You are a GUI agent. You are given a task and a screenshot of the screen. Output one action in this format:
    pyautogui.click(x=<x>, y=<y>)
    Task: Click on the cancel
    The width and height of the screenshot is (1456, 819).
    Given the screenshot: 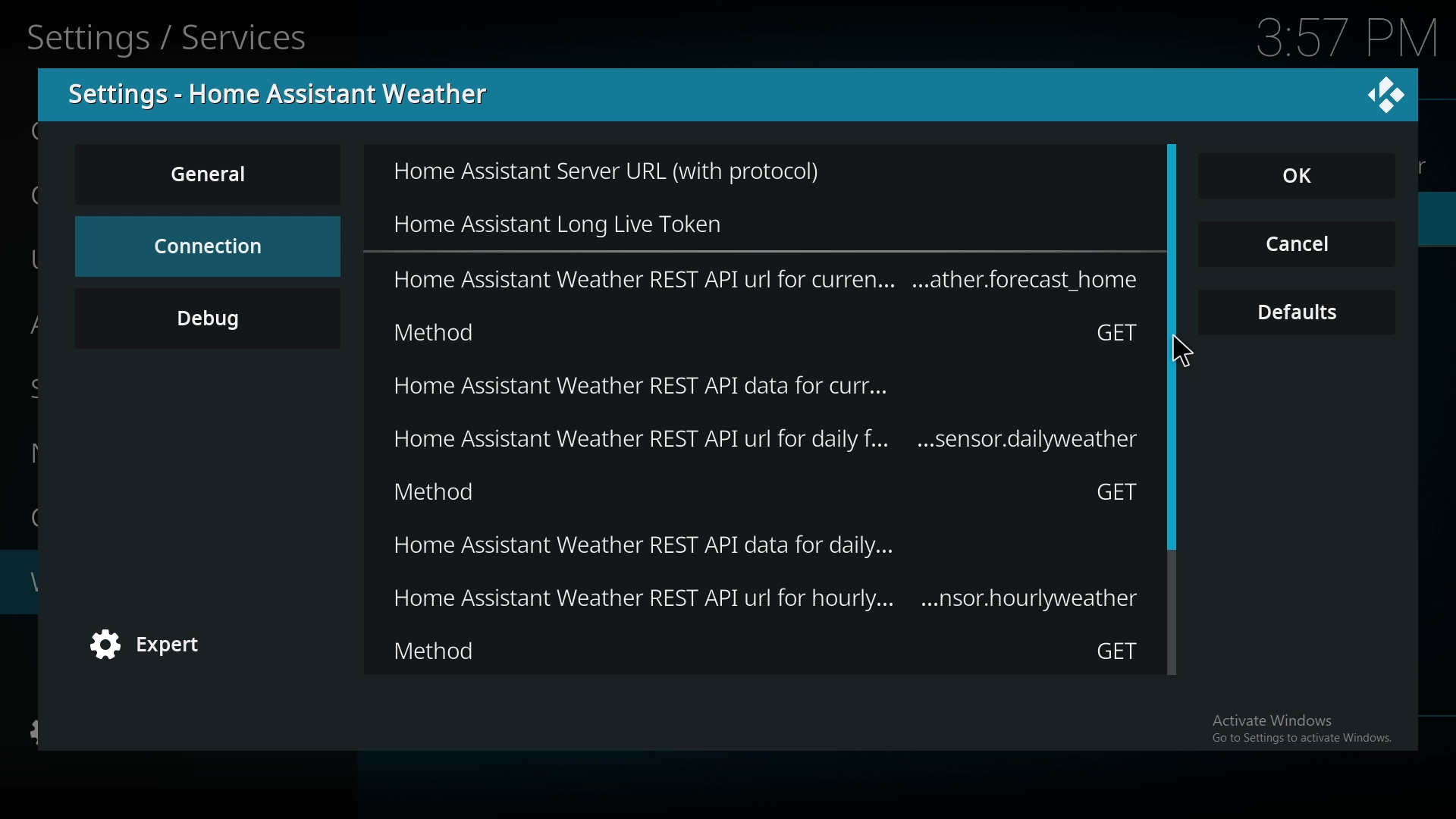 What is the action you would take?
    pyautogui.click(x=1297, y=246)
    